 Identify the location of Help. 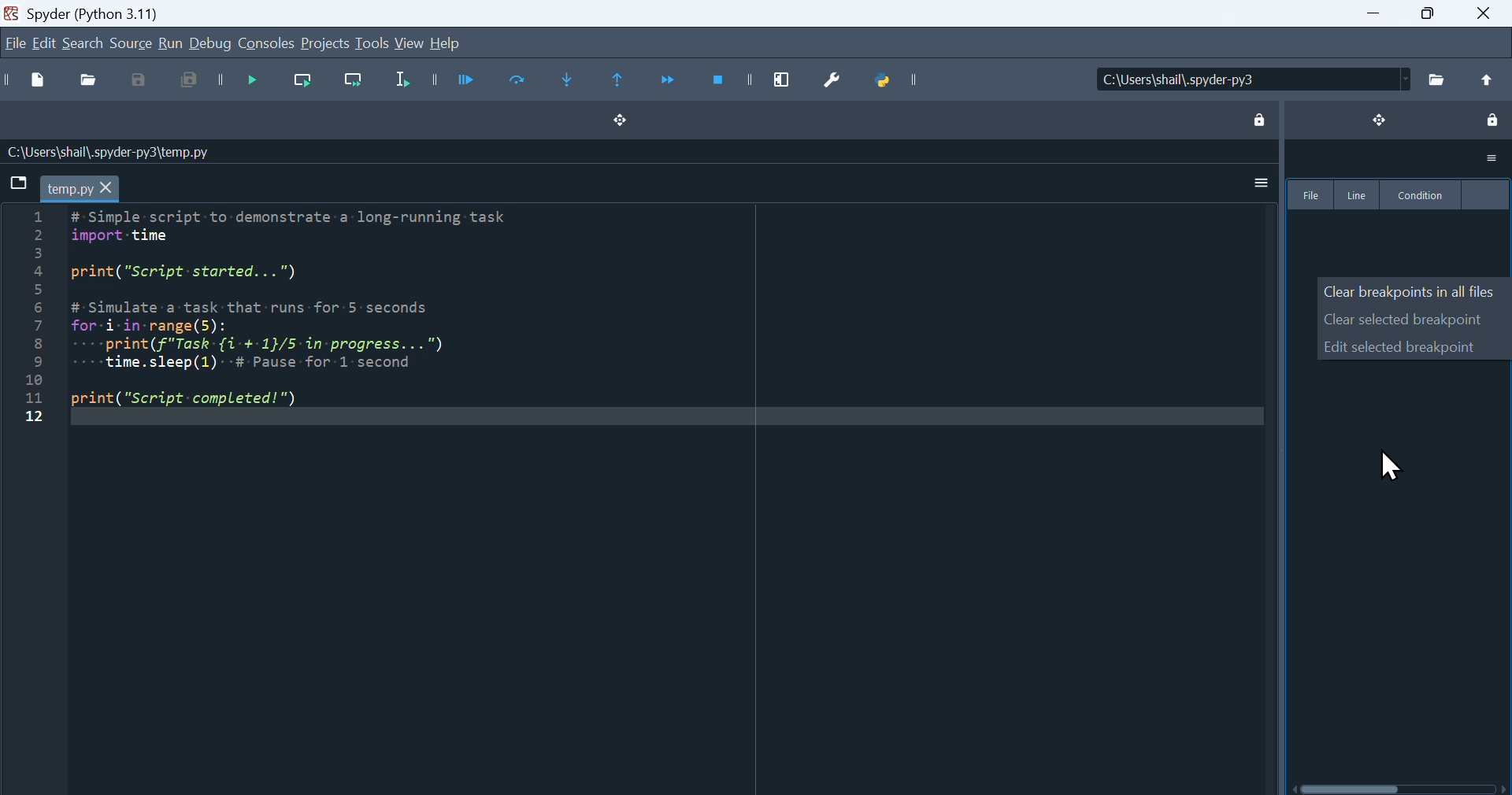
(455, 43).